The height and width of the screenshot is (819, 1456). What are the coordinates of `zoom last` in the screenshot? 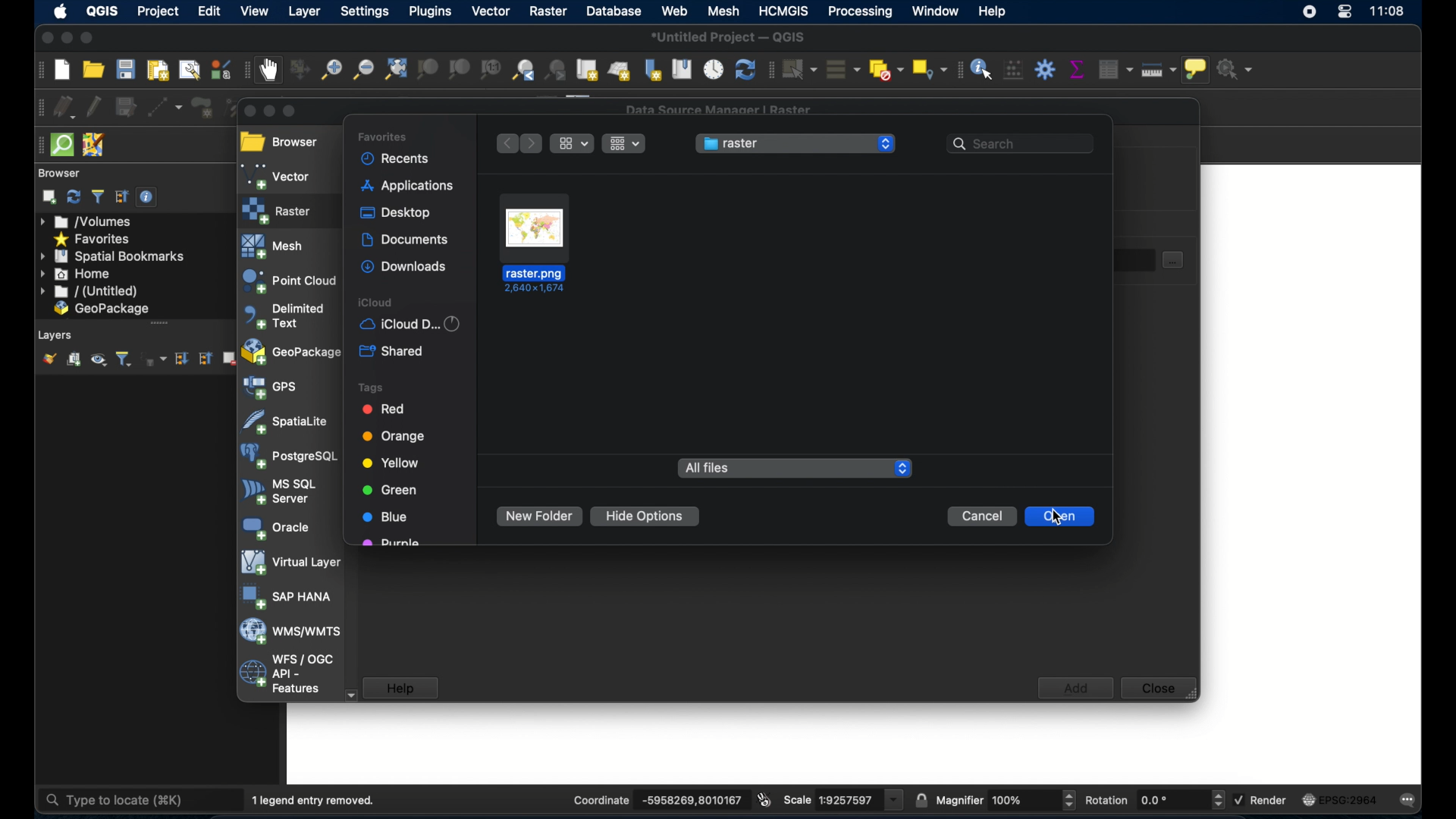 It's located at (524, 69).